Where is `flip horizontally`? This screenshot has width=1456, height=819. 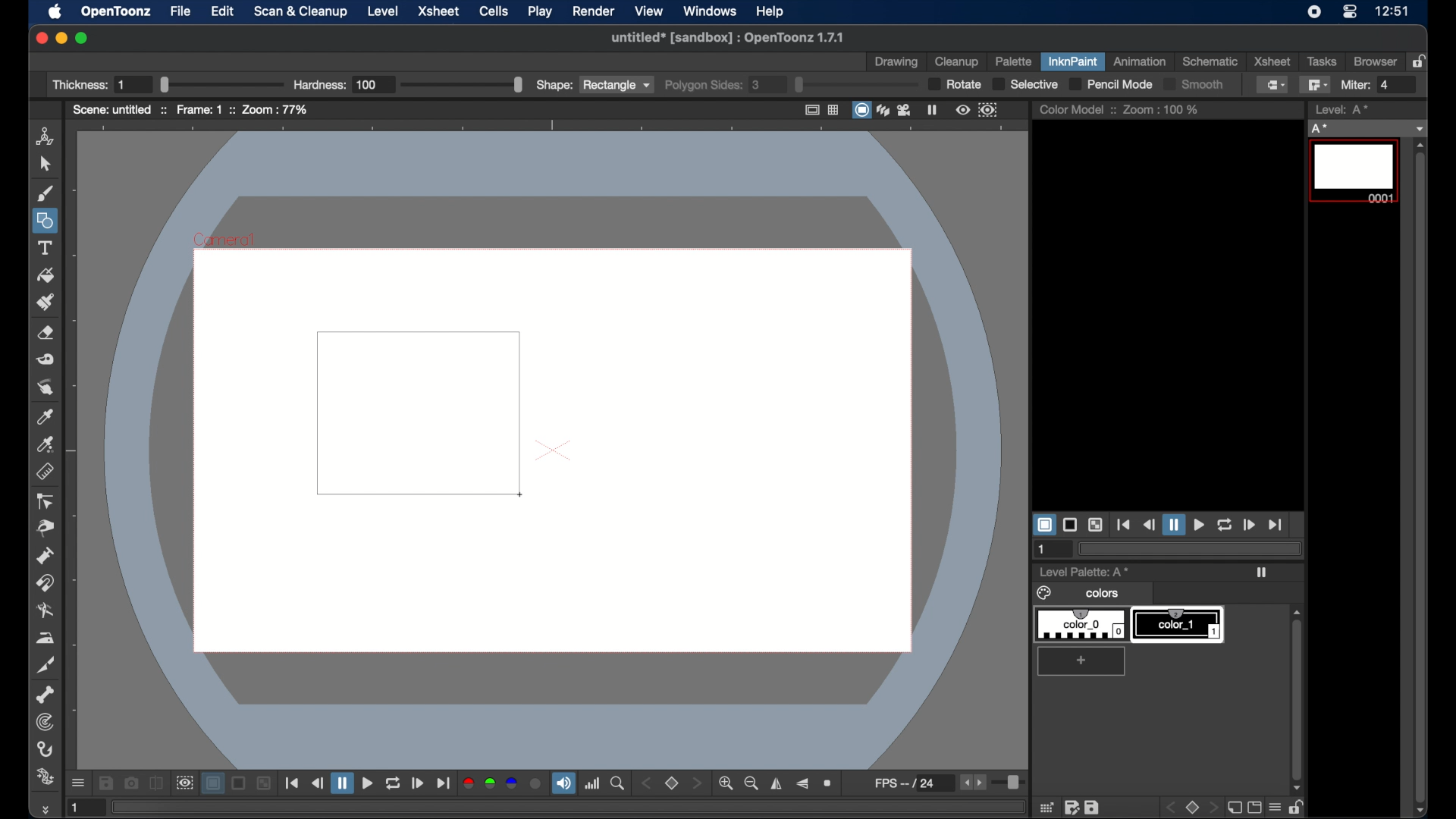 flip horizontally is located at coordinates (777, 783).